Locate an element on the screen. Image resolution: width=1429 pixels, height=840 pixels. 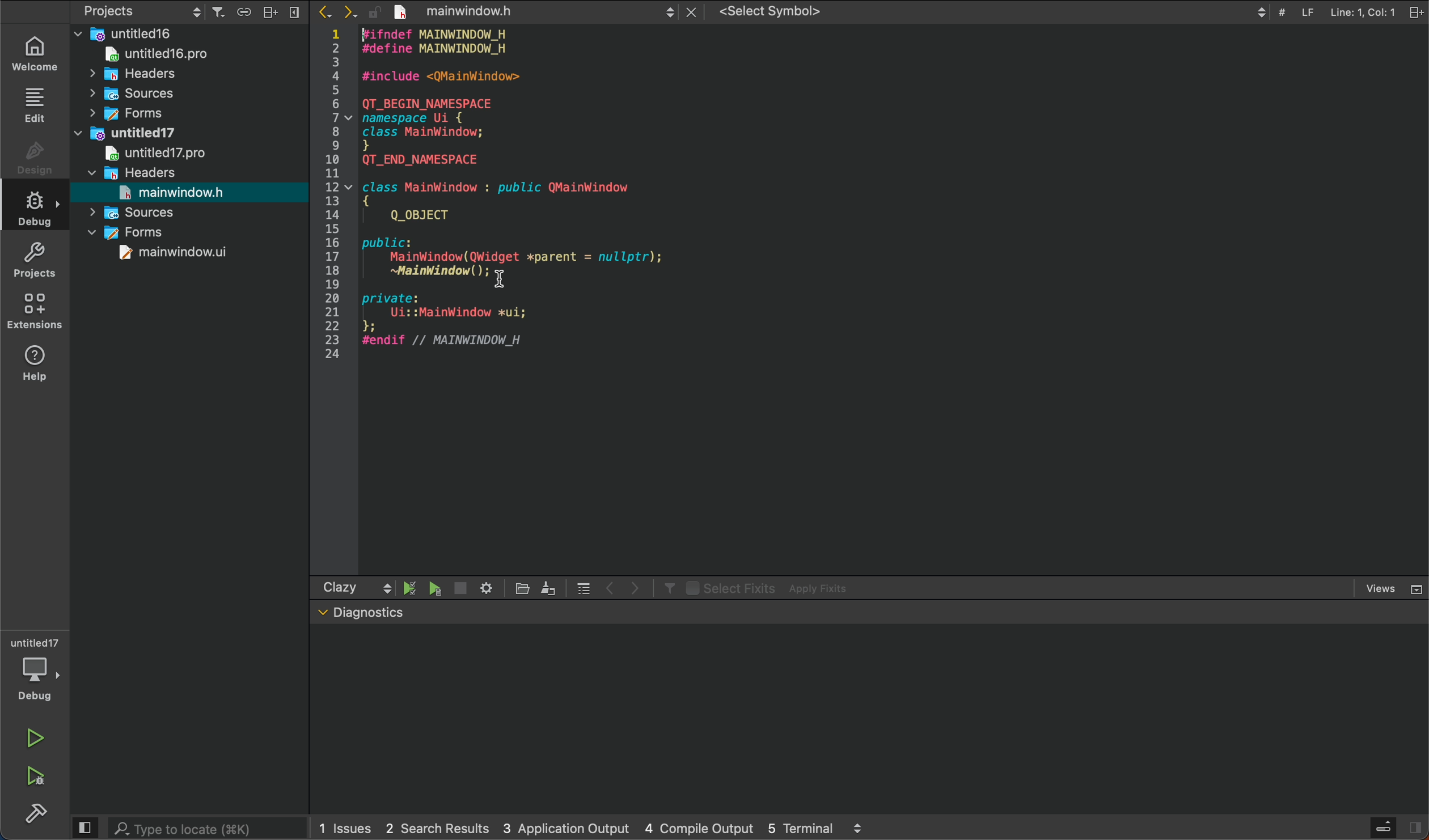
run and debug is located at coordinates (40, 780).